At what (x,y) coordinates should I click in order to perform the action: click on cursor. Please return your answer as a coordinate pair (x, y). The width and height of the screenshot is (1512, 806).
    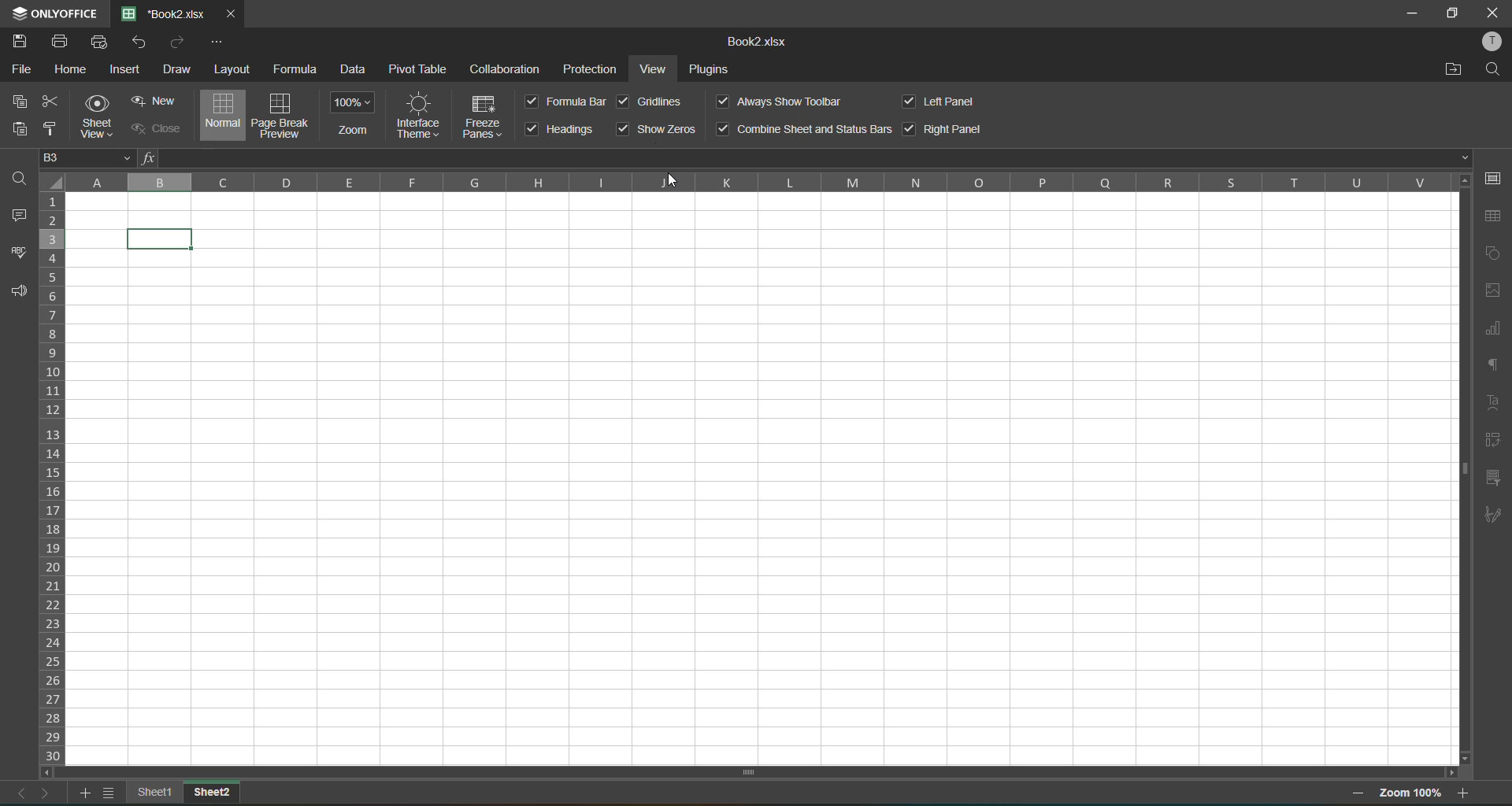
    Looking at the image, I should click on (678, 185).